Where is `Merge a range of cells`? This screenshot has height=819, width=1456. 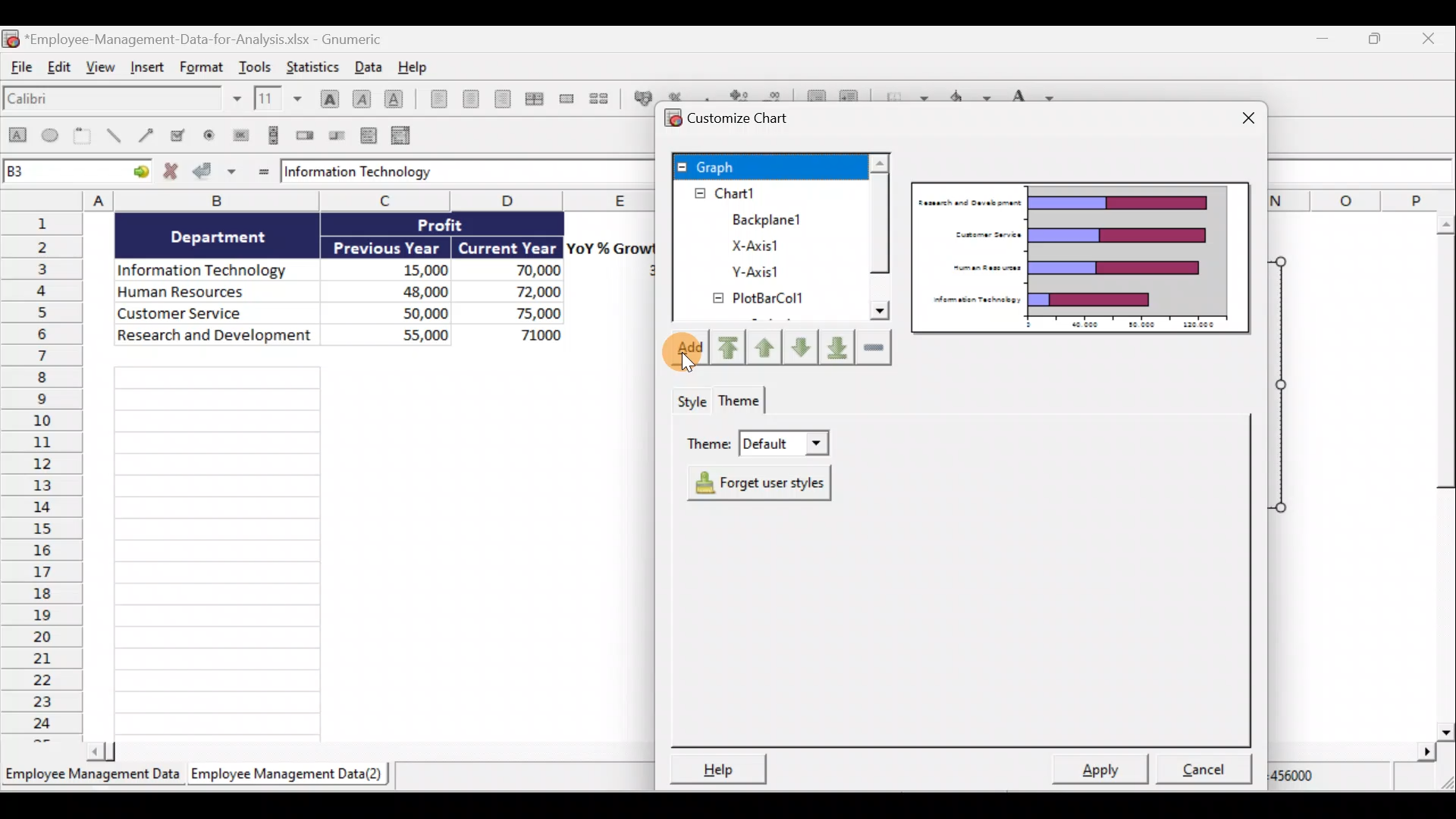
Merge a range of cells is located at coordinates (566, 99).